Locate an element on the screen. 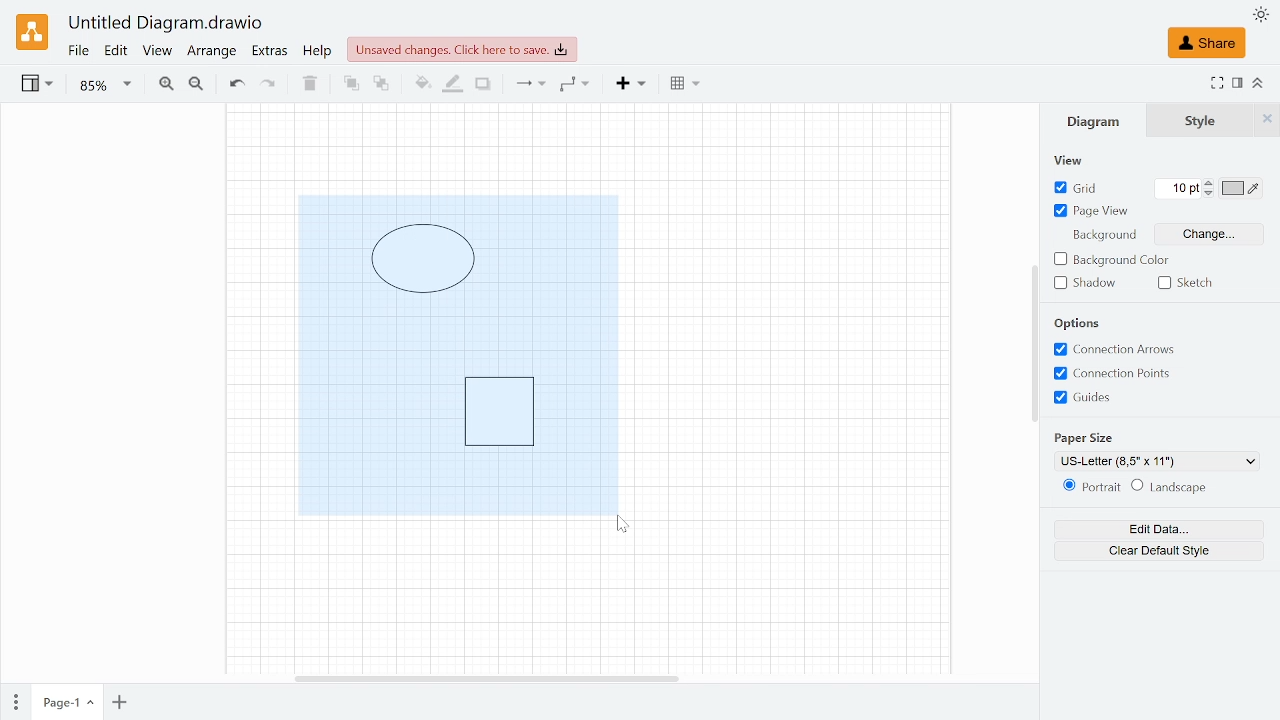 Image resolution: width=1280 pixels, height=720 pixels. Connections Points is located at coordinates (1116, 375).